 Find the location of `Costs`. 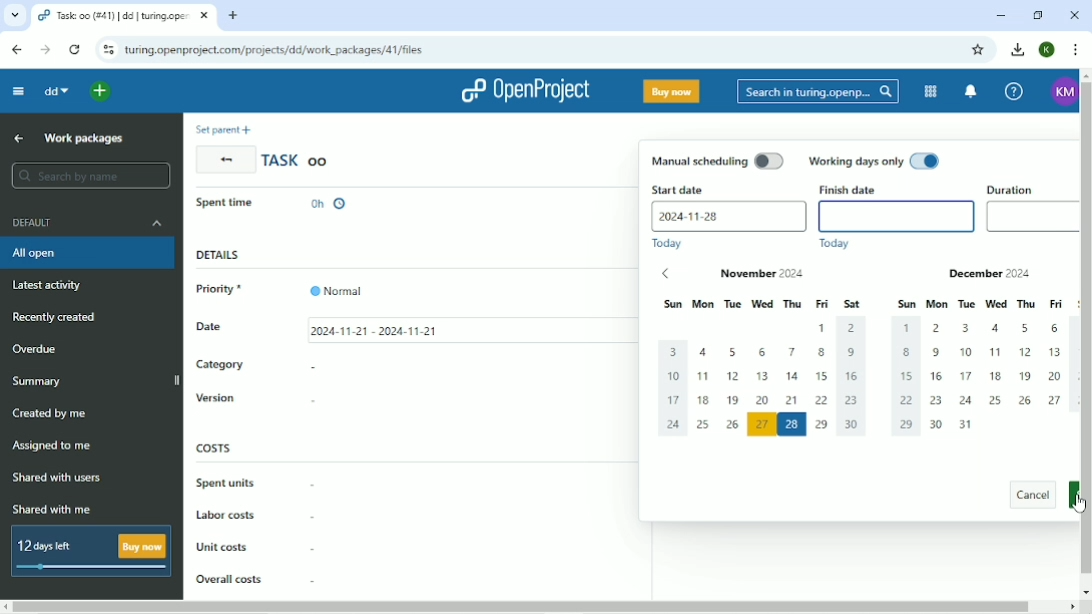

Costs is located at coordinates (214, 447).